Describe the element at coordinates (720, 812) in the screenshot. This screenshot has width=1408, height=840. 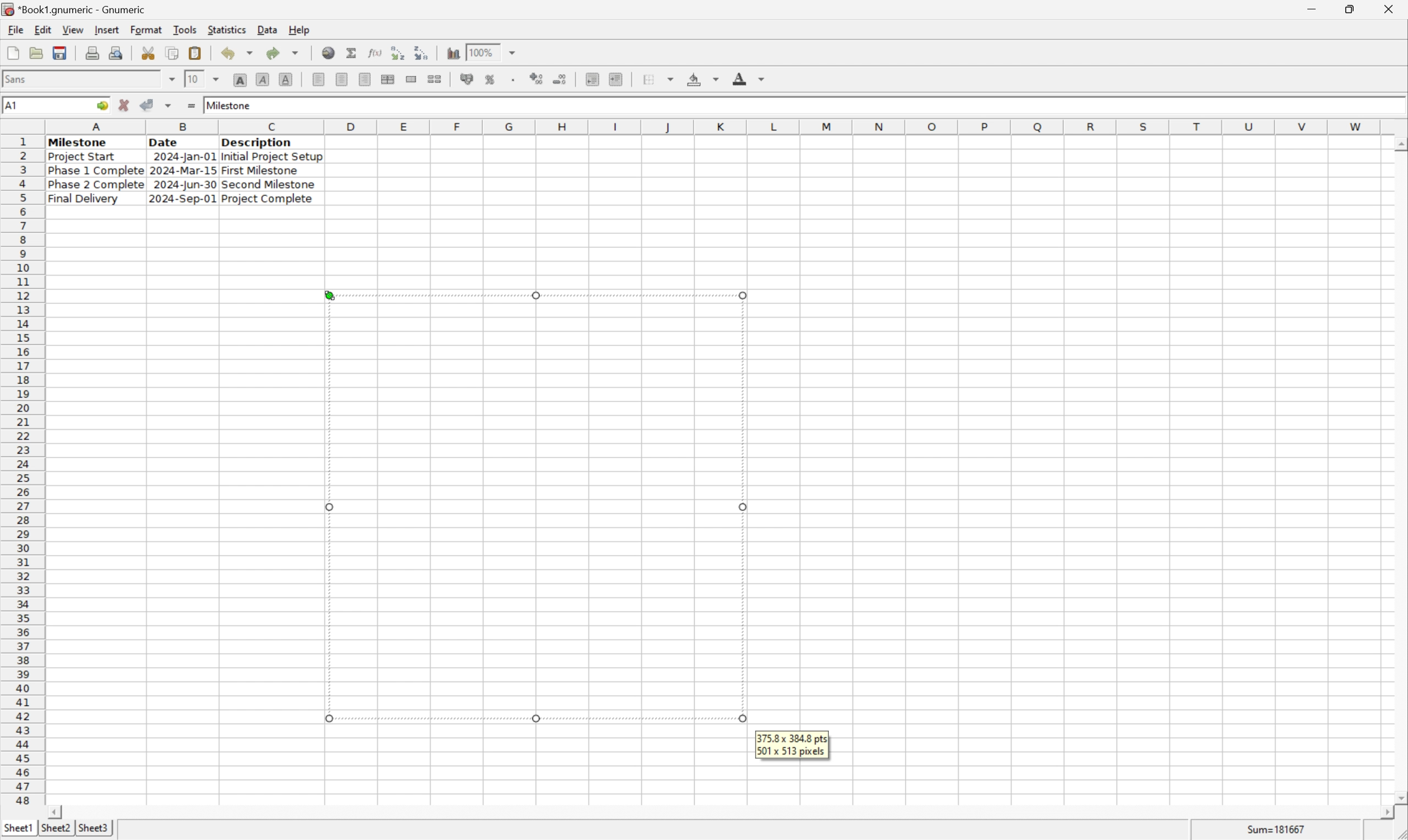
I see `scroll bar` at that location.